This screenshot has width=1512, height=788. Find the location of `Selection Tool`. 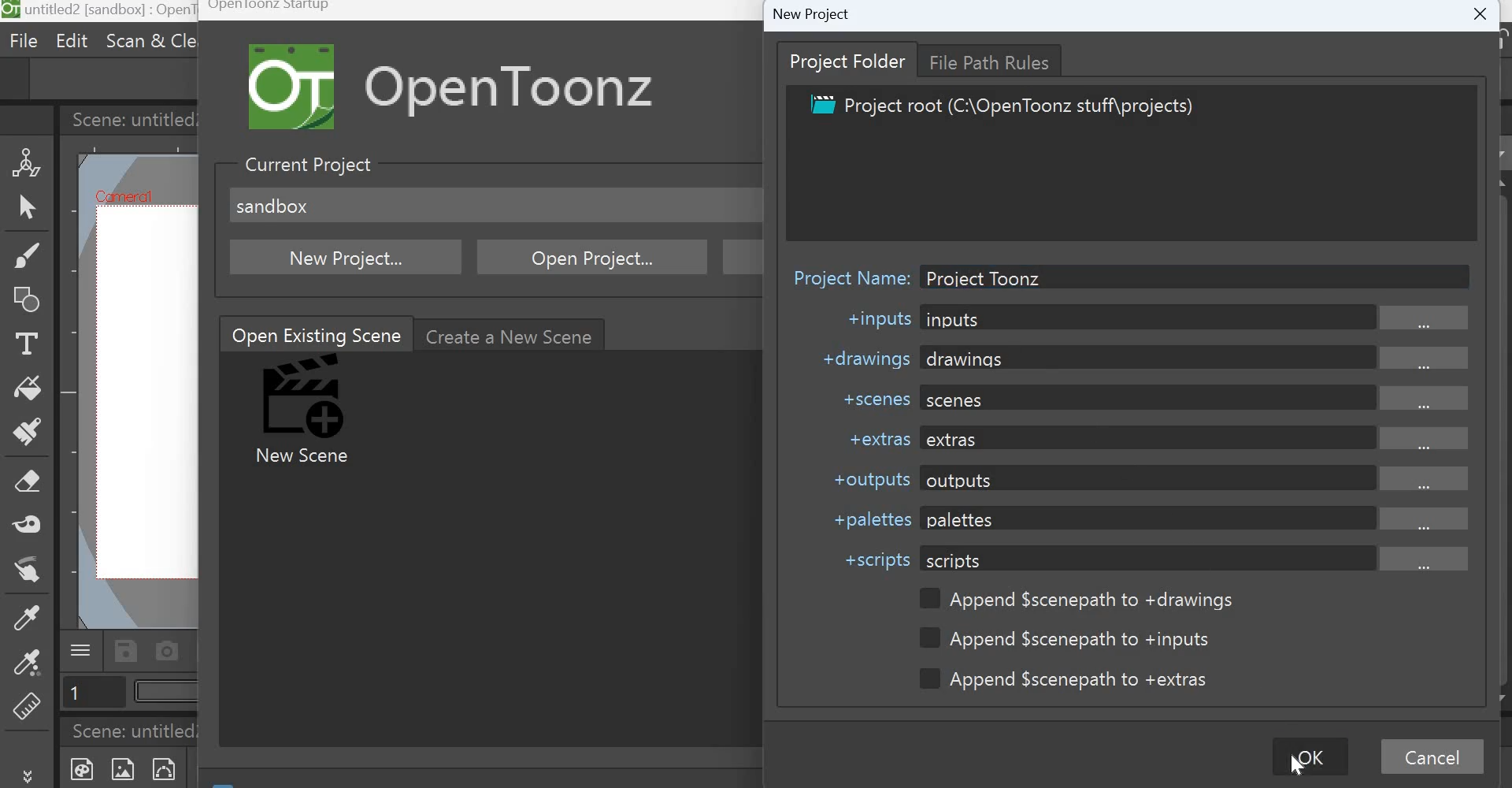

Selection Tool is located at coordinates (27, 208).